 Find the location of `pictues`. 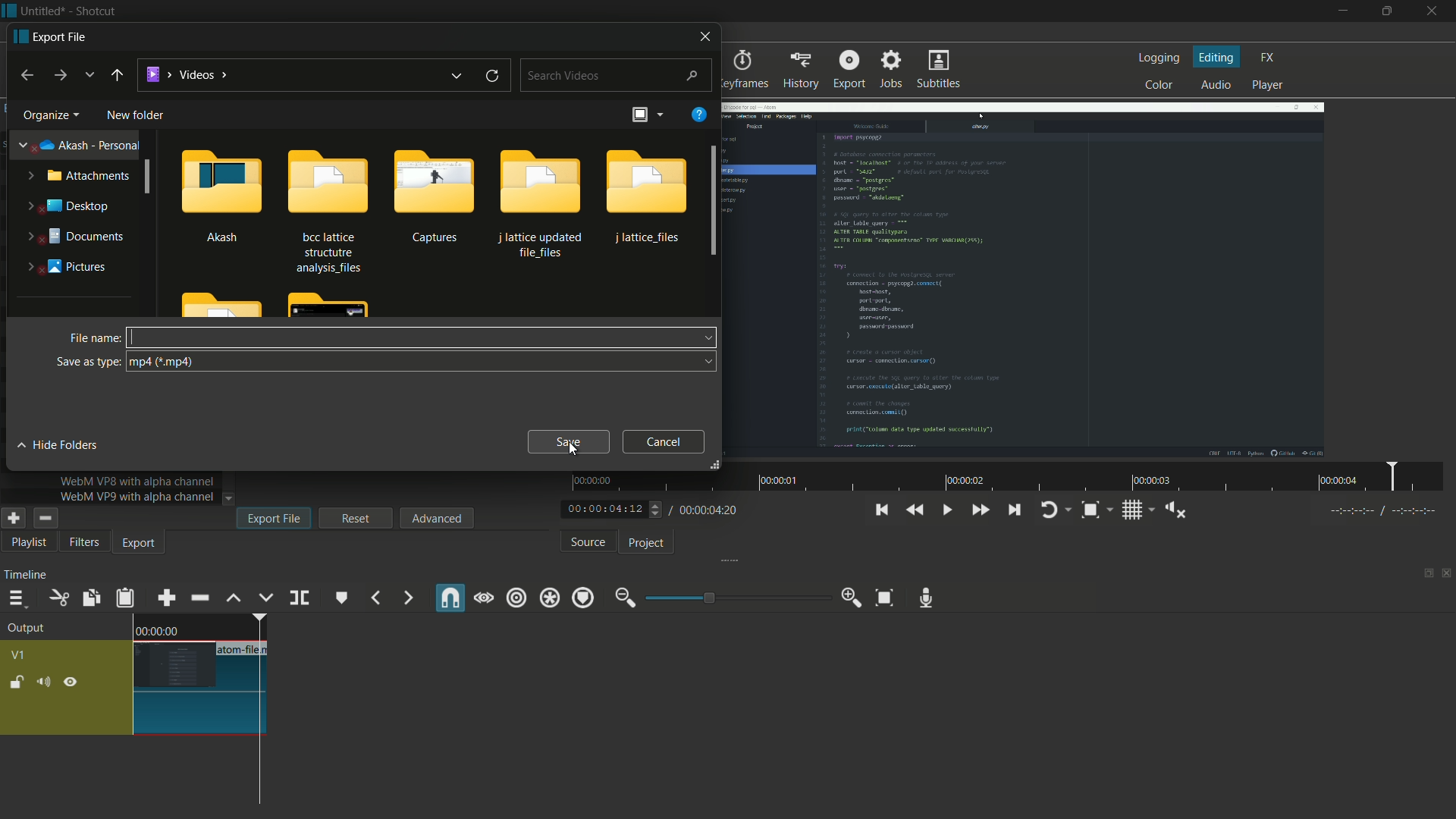

pictues is located at coordinates (63, 265).